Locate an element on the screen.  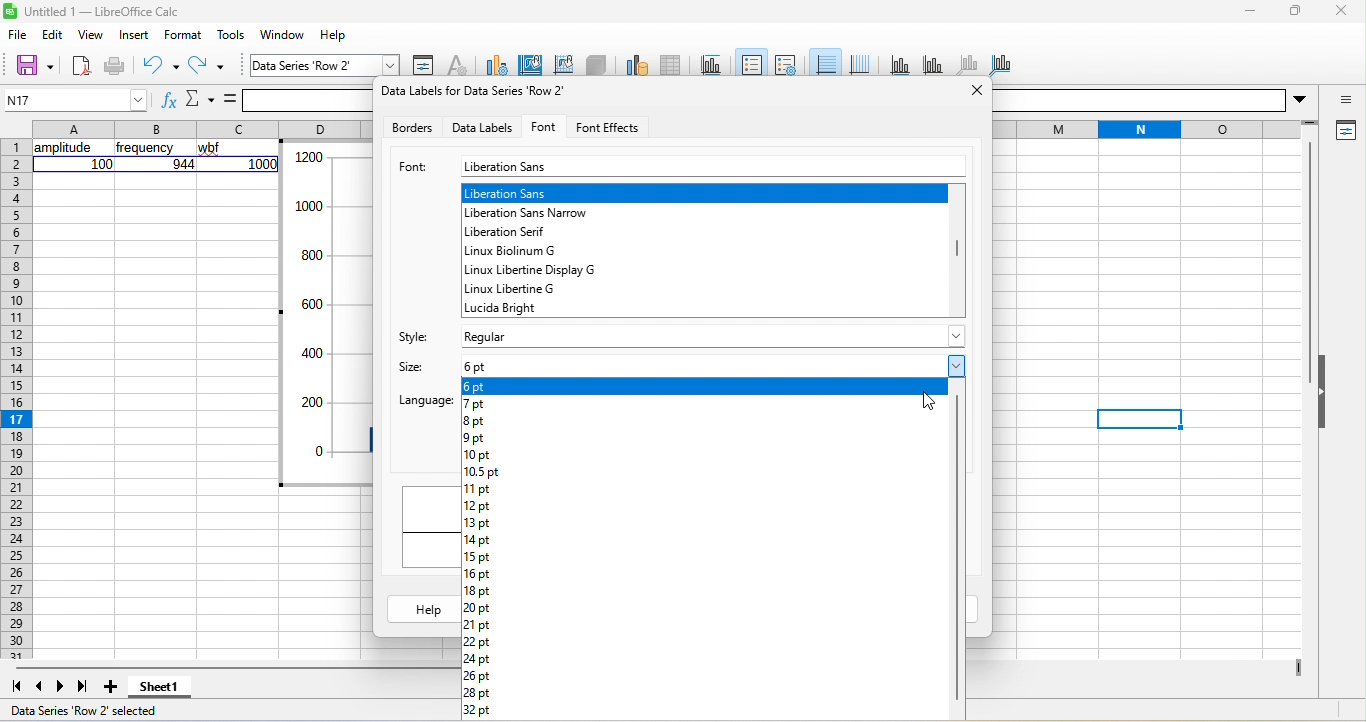
data is located at coordinates (326, 312).